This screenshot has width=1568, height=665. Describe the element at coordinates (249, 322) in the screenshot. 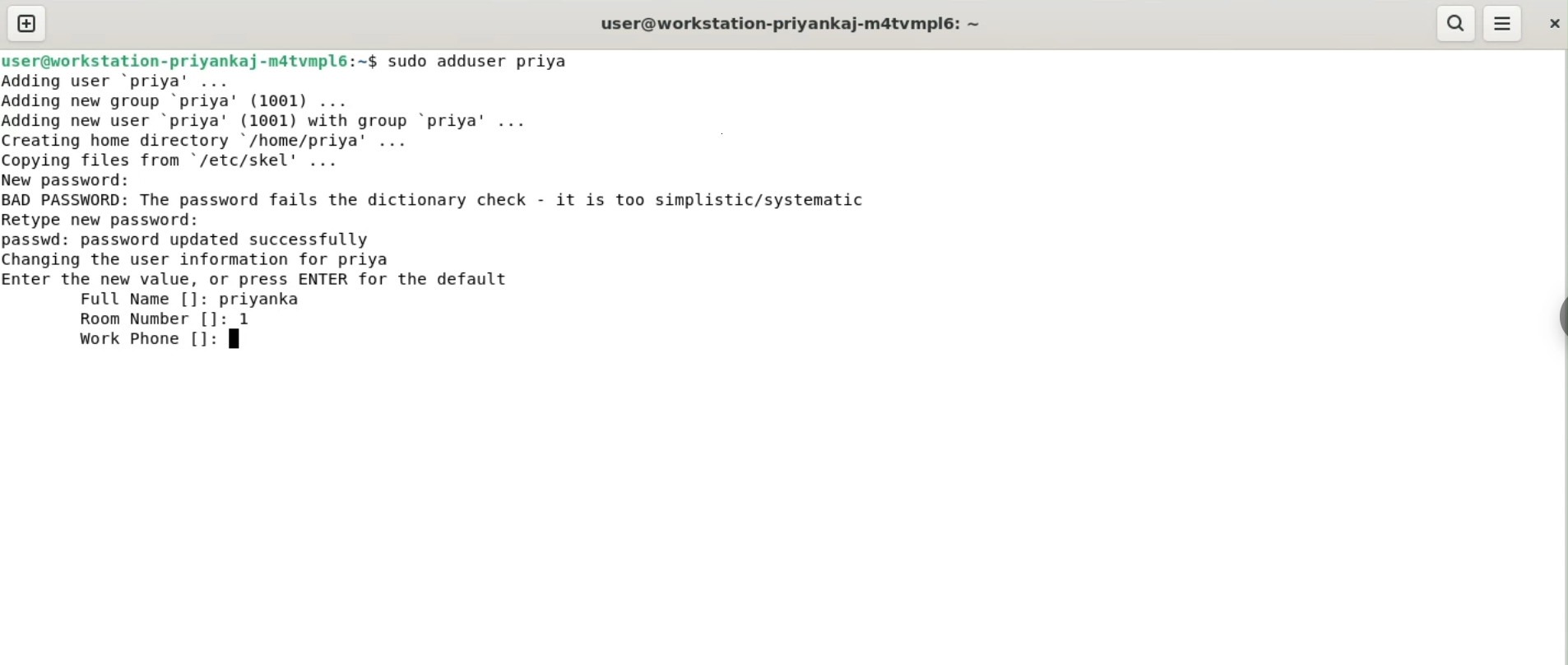

I see `1` at that location.